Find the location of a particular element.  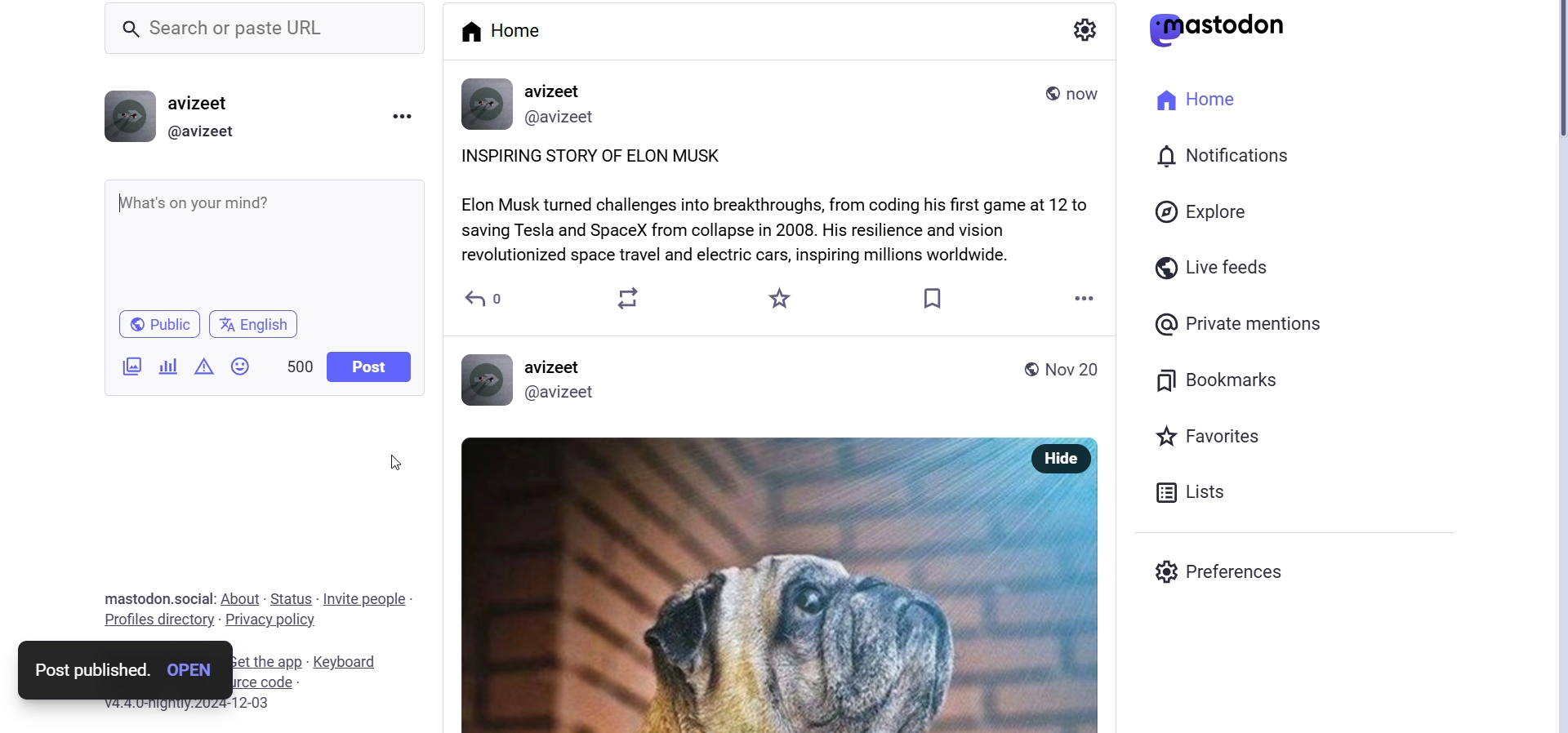

about is located at coordinates (240, 598).